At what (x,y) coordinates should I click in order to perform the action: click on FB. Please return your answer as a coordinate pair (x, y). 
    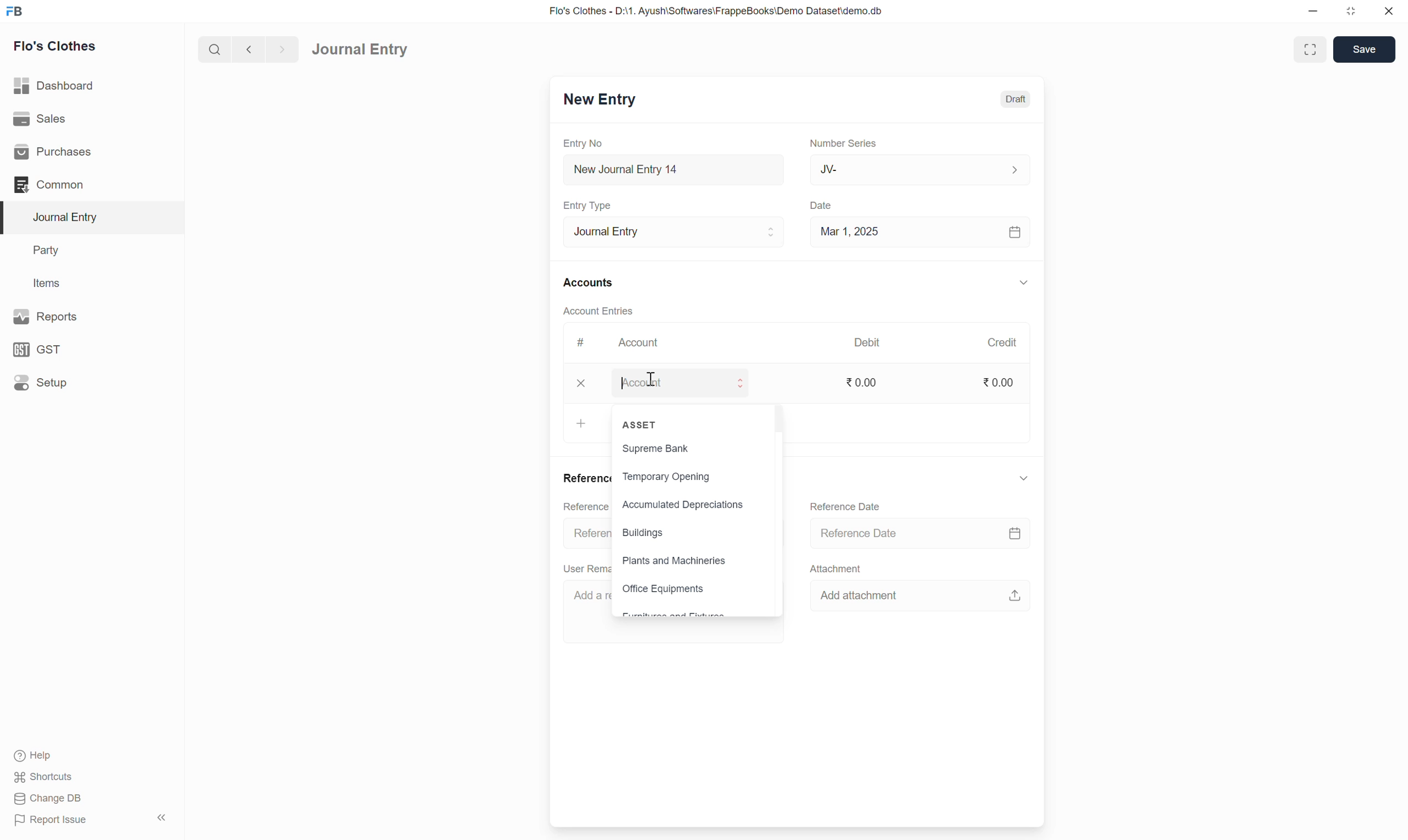
    Looking at the image, I should click on (15, 11).